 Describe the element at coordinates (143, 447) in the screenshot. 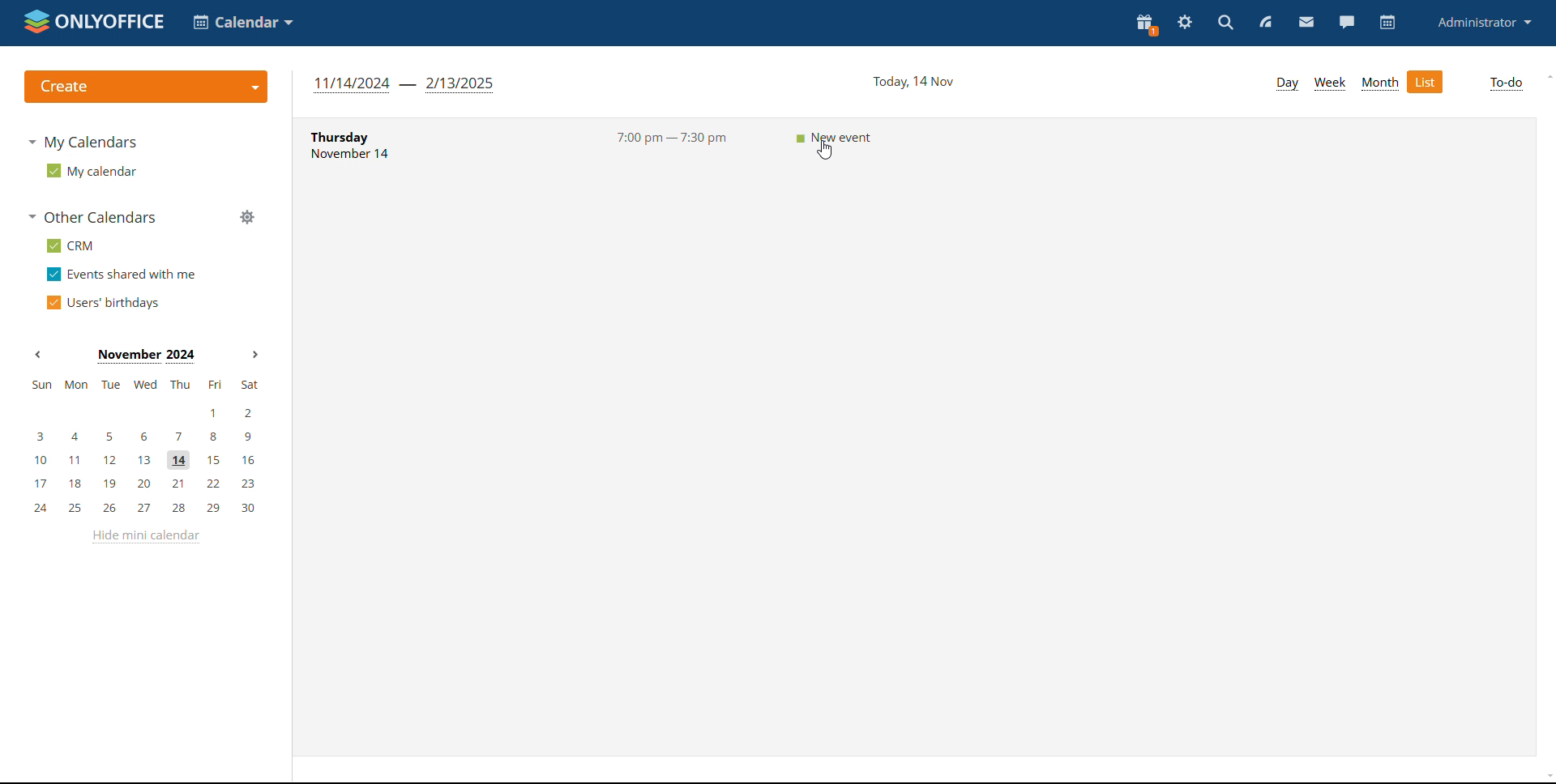

I see `mini calendar` at that location.